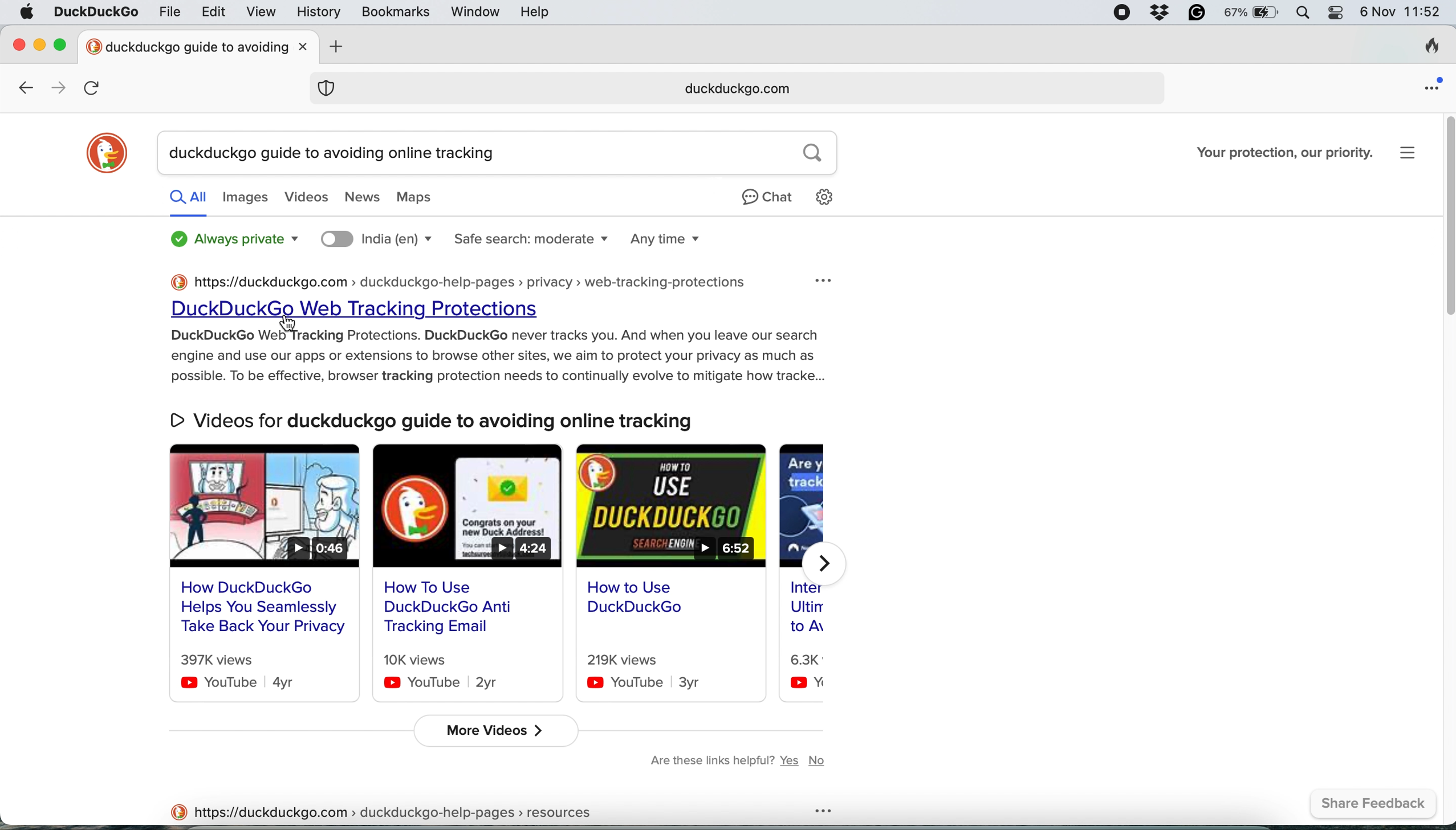 This screenshot has height=830, width=1456. What do you see at coordinates (1446, 217) in the screenshot?
I see `vertical scroll bar` at bounding box center [1446, 217].